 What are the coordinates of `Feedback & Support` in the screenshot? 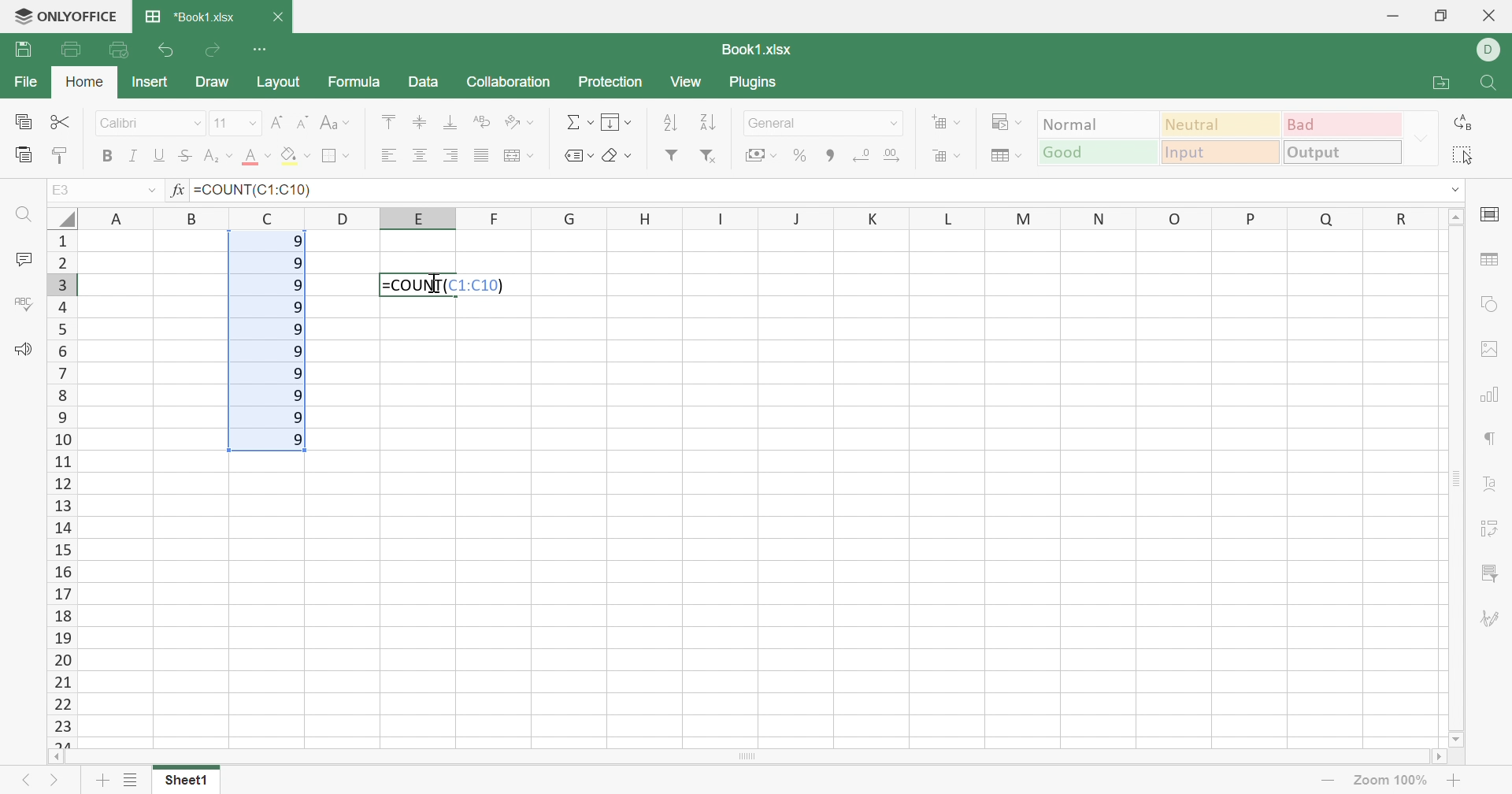 It's located at (23, 351).